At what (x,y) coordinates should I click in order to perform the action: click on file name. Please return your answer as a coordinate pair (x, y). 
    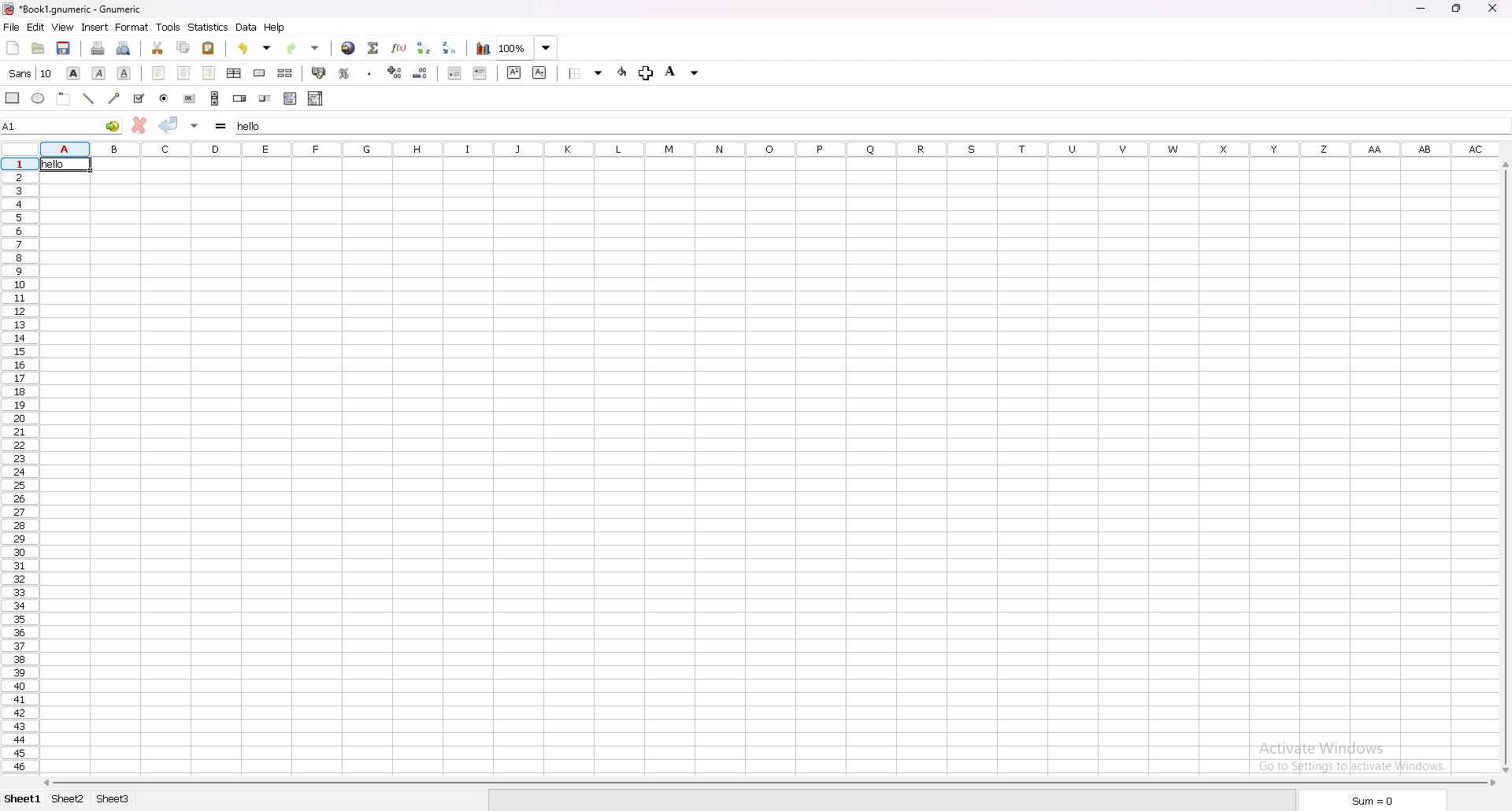
    Looking at the image, I should click on (76, 9).